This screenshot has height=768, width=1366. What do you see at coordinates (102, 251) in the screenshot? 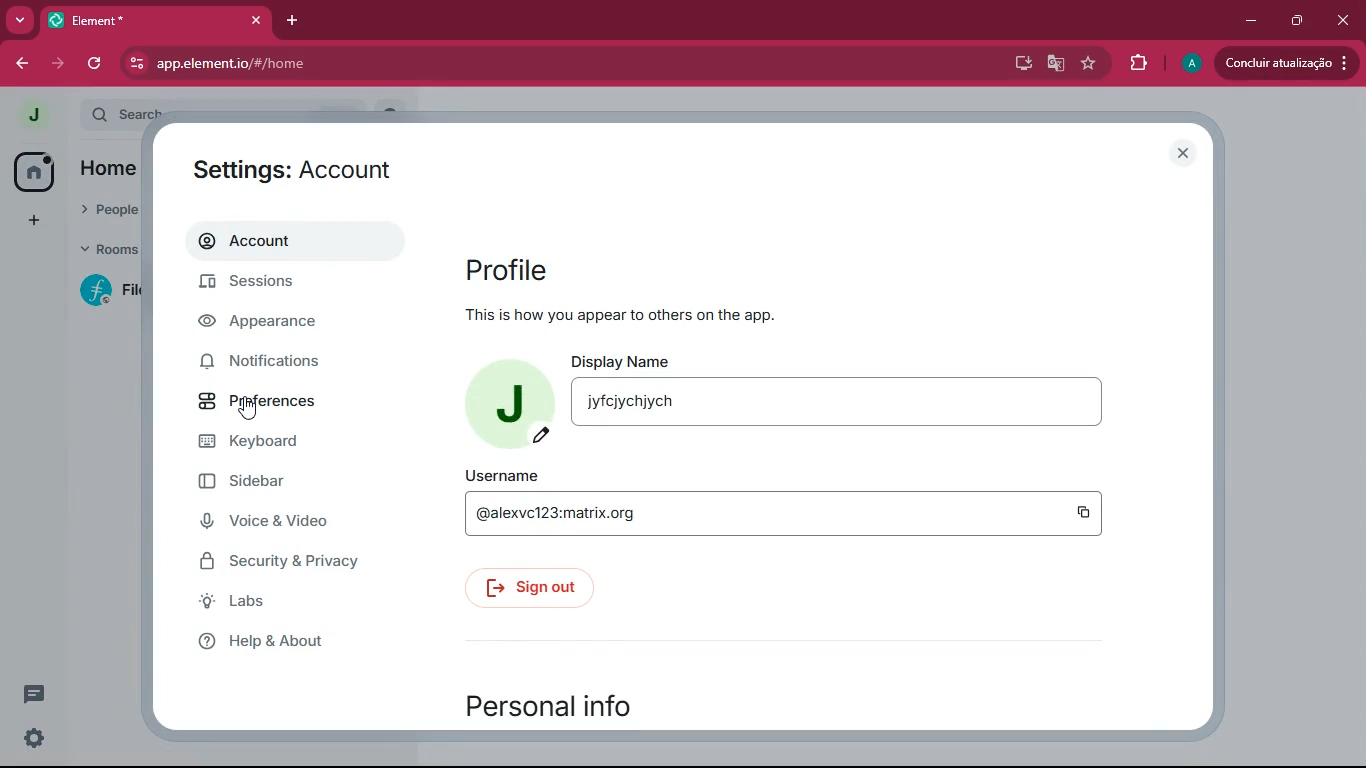
I see `rooms` at bounding box center [102, 251].